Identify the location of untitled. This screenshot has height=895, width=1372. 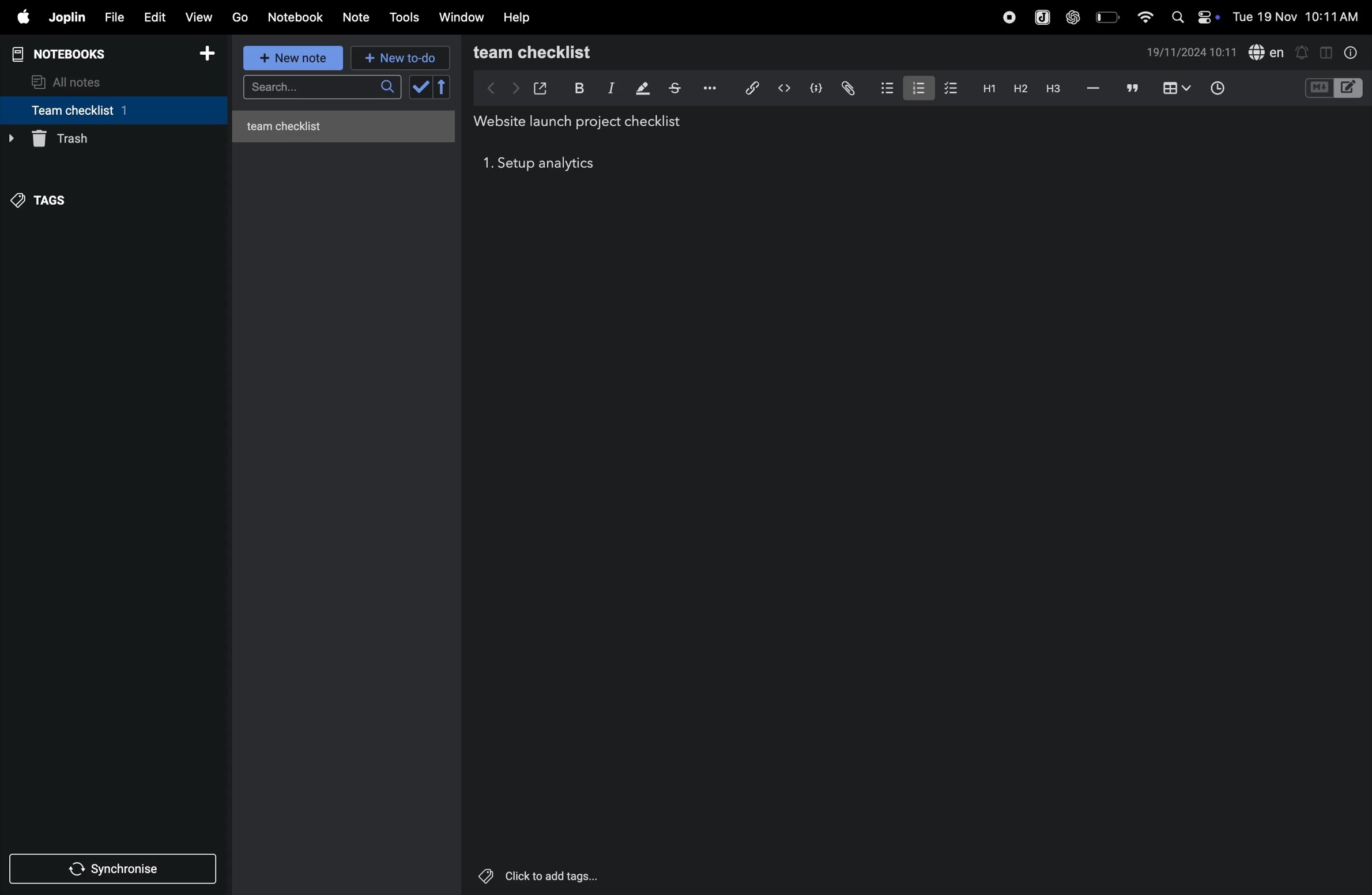
(348, 123).